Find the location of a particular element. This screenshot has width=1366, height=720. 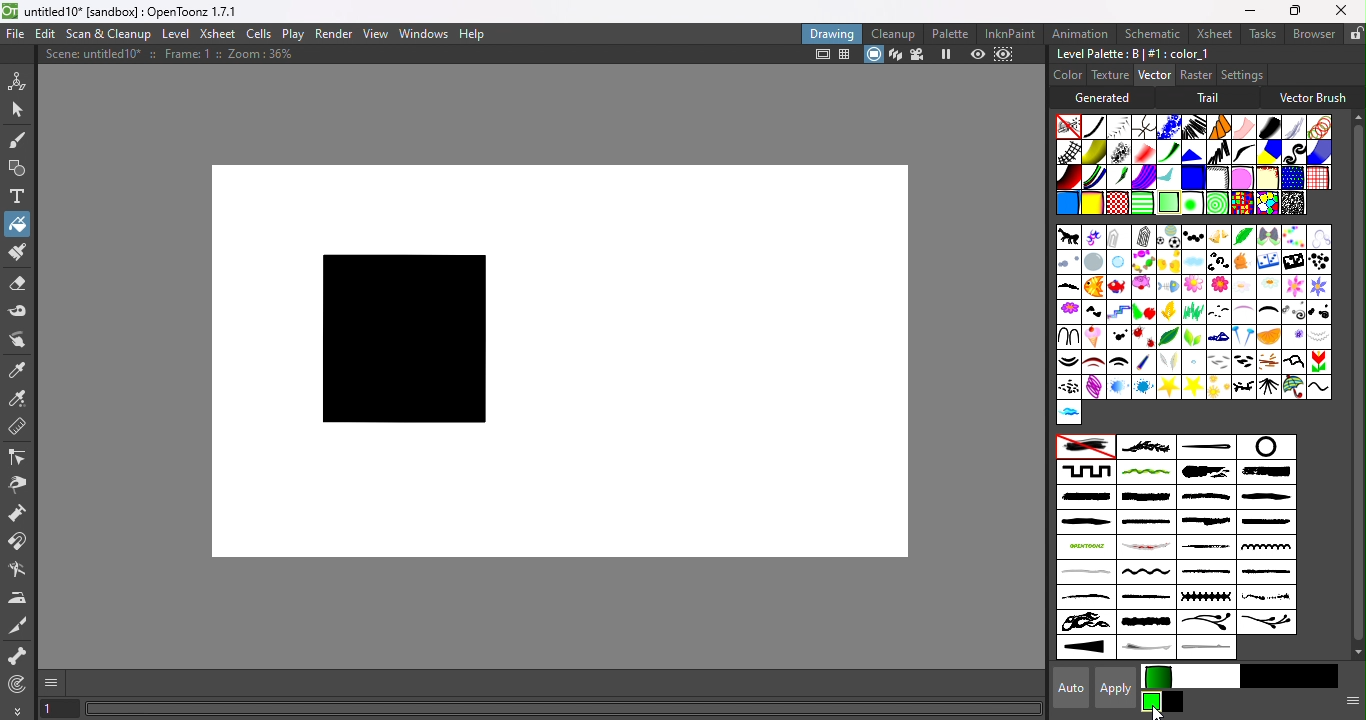

Show or hide parts of the color page is located at coordinates (1349, 699).